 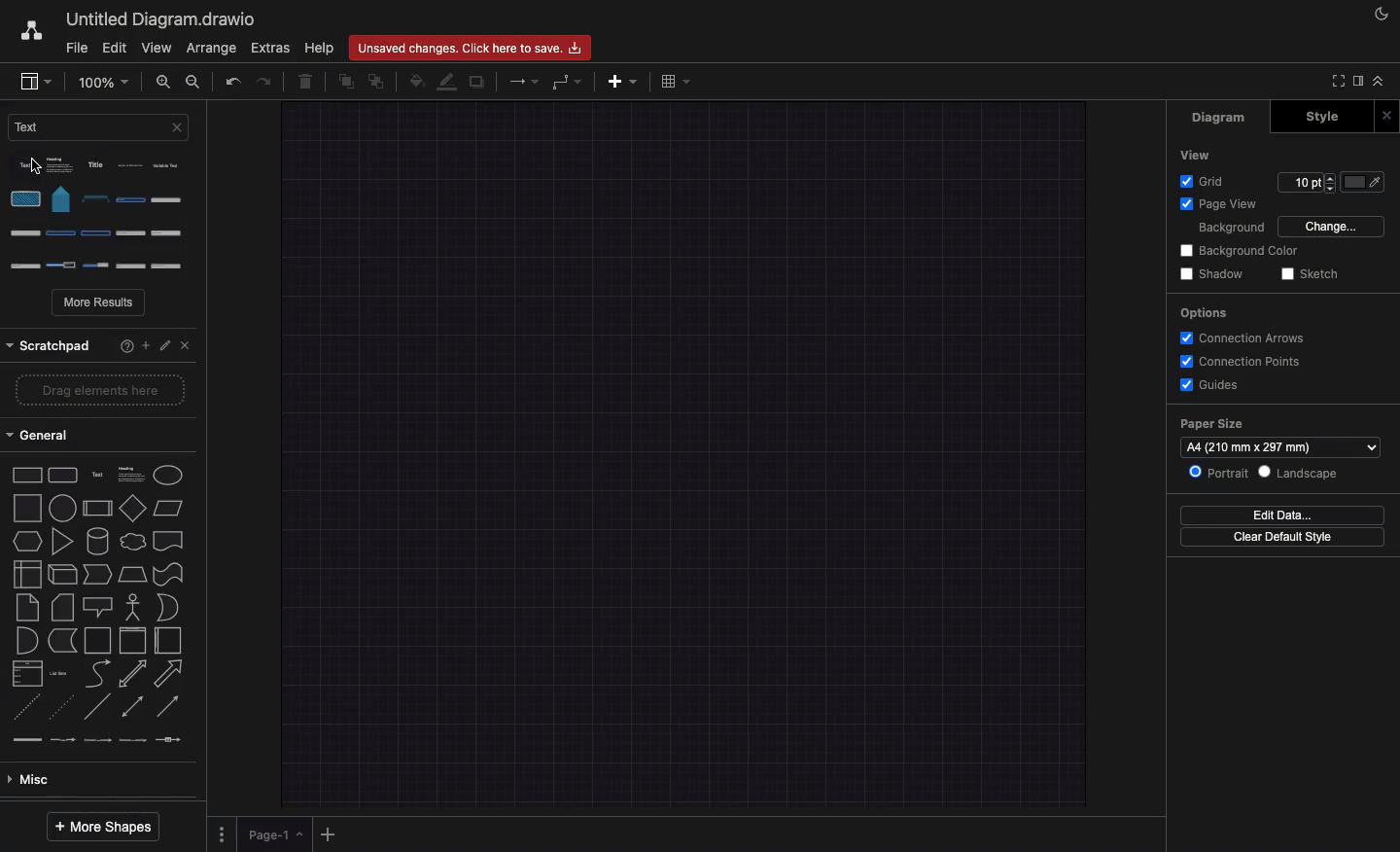 I want to click on Style, so click(x=1316, y=118).